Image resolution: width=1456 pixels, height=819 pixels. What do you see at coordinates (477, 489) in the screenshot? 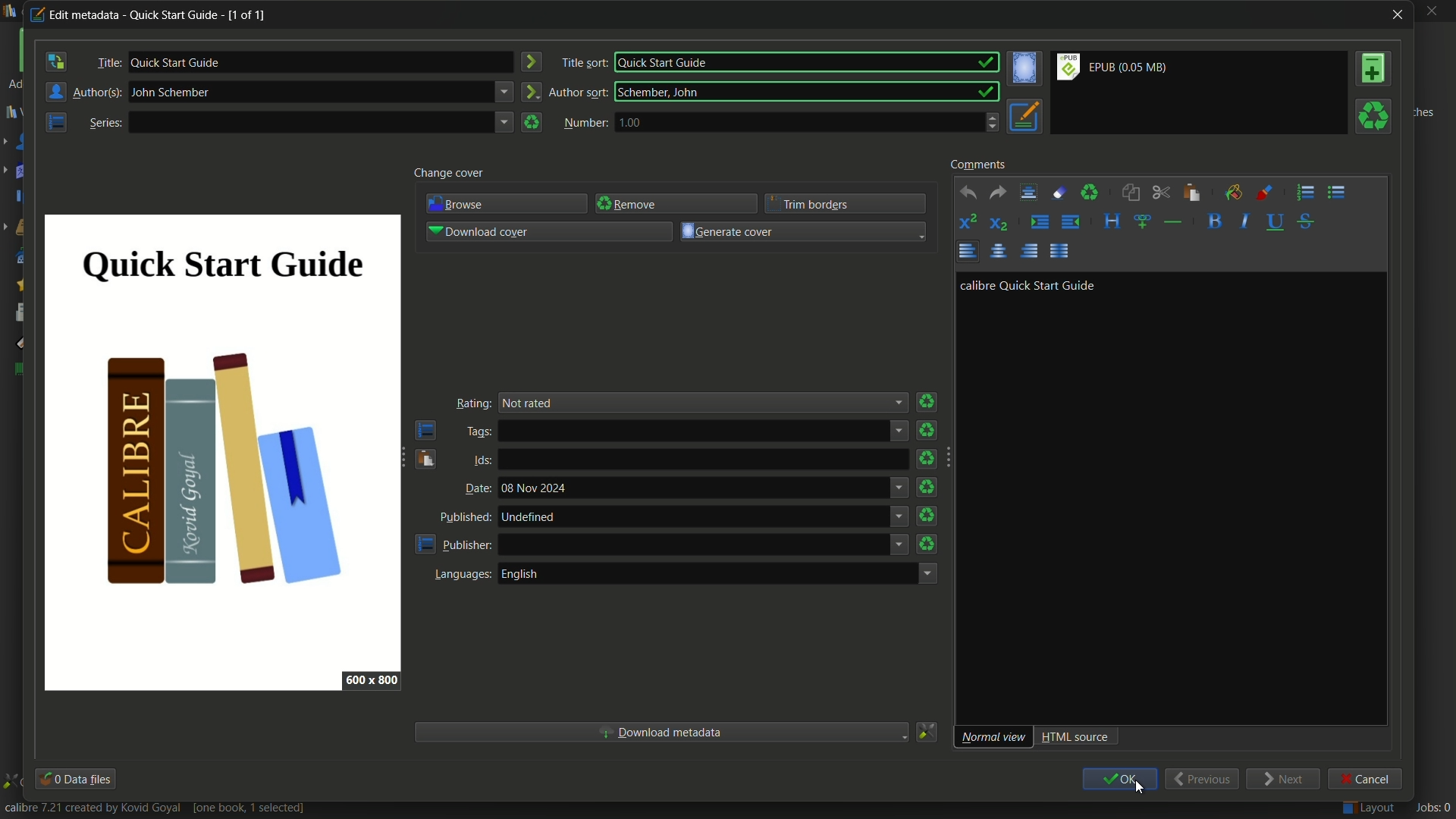
I see `date` at bounding box center [477, 489].